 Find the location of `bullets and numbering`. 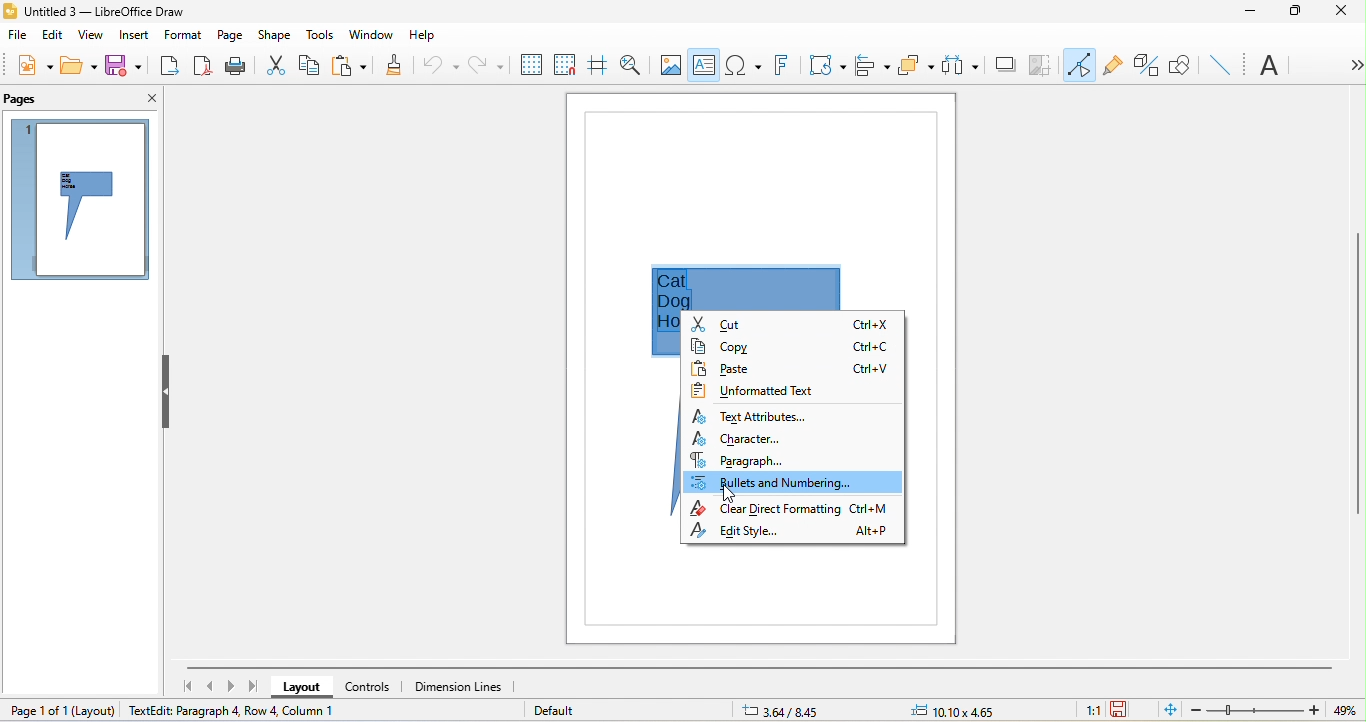

bullets and numbering is located at coordinates (792, 483).